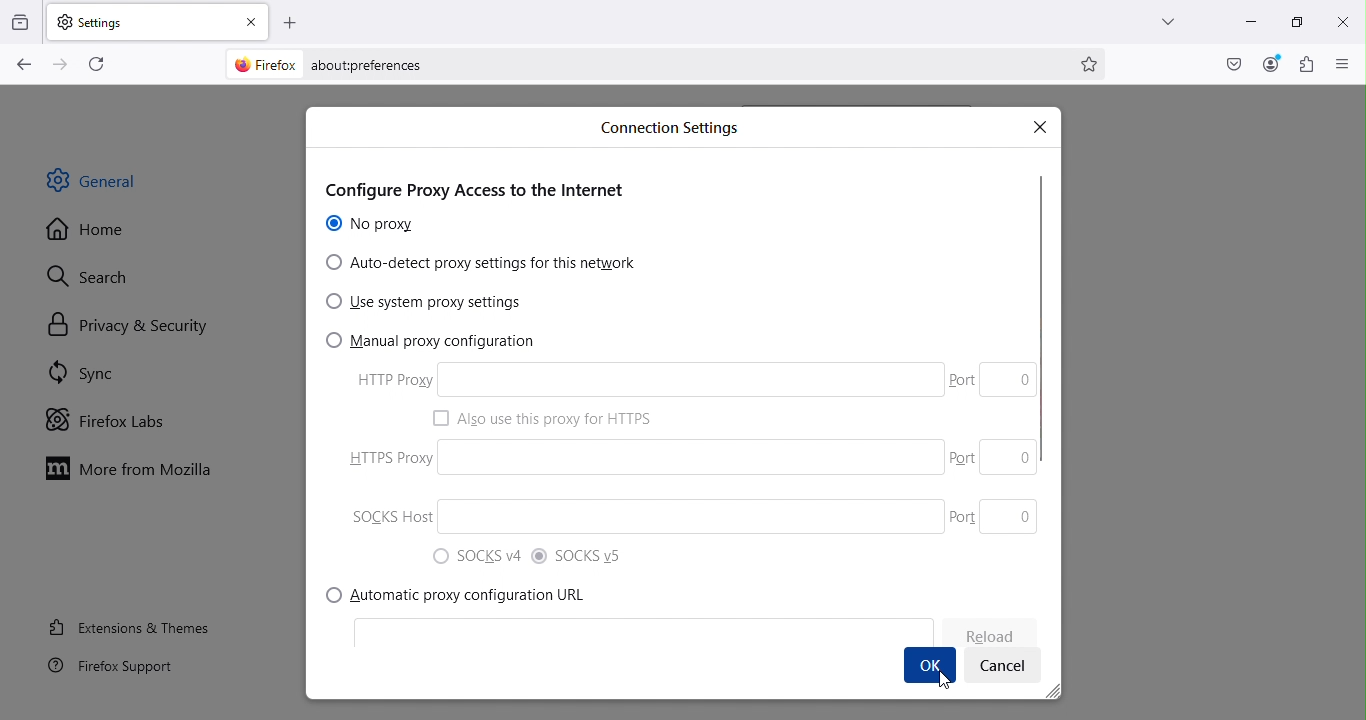 The height and width of the screenshot is (720, 1366). Describe the element at coordinates (1008, 380) in the screenshot. I see `Port` at that location.